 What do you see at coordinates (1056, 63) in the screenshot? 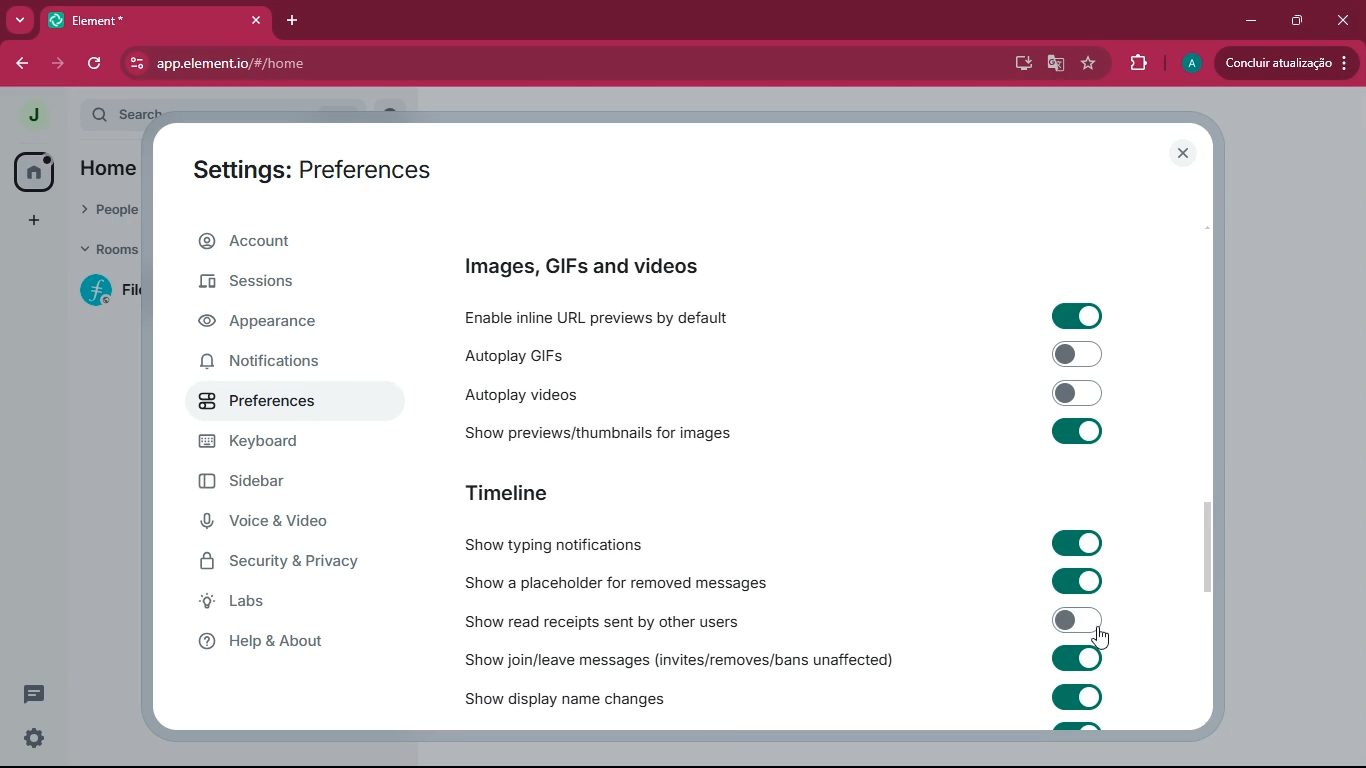
I see `google translate` at bounding box center [1056, 63].